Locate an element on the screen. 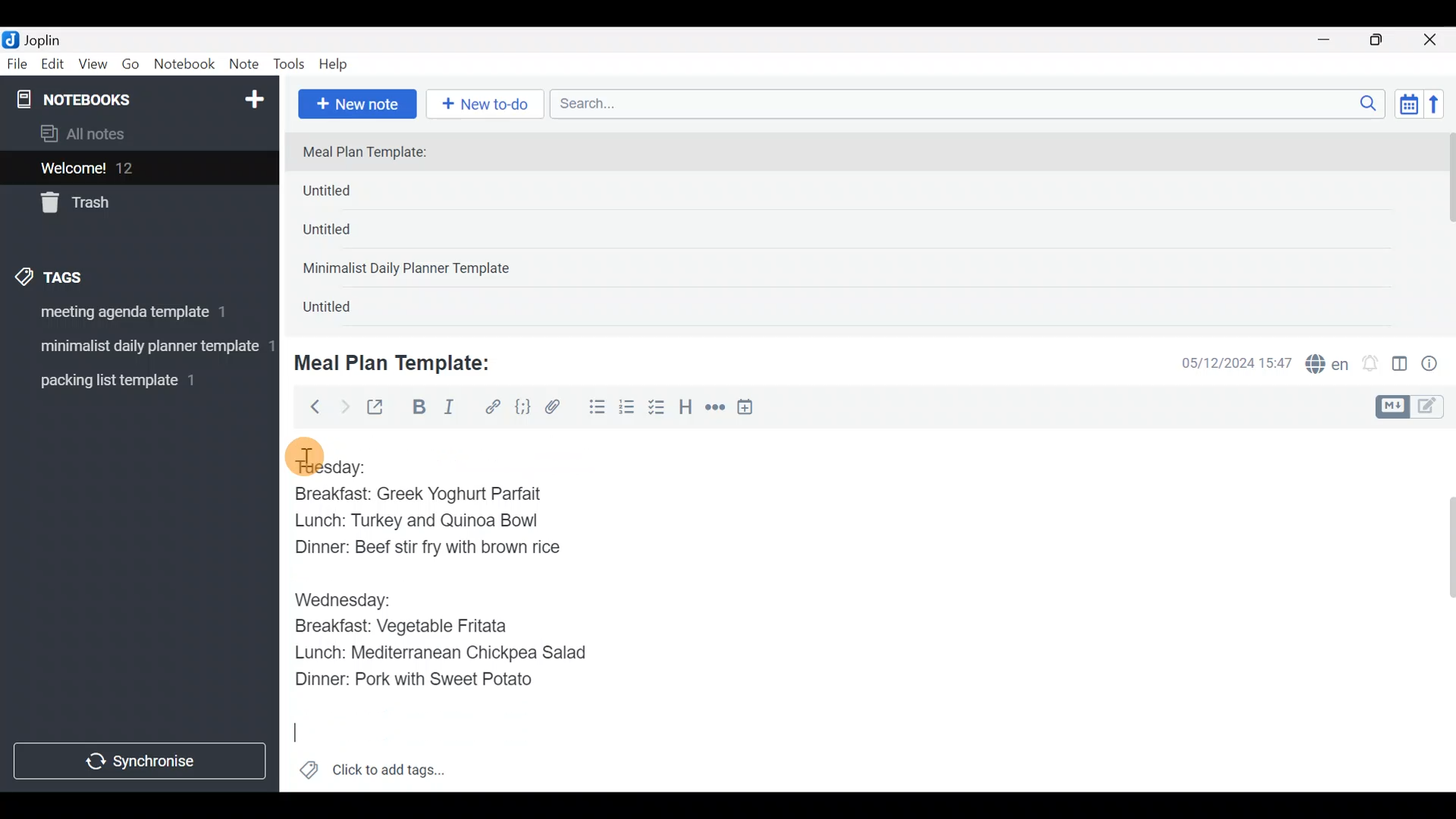  Tuesday: is located at coordinates (331, 465).